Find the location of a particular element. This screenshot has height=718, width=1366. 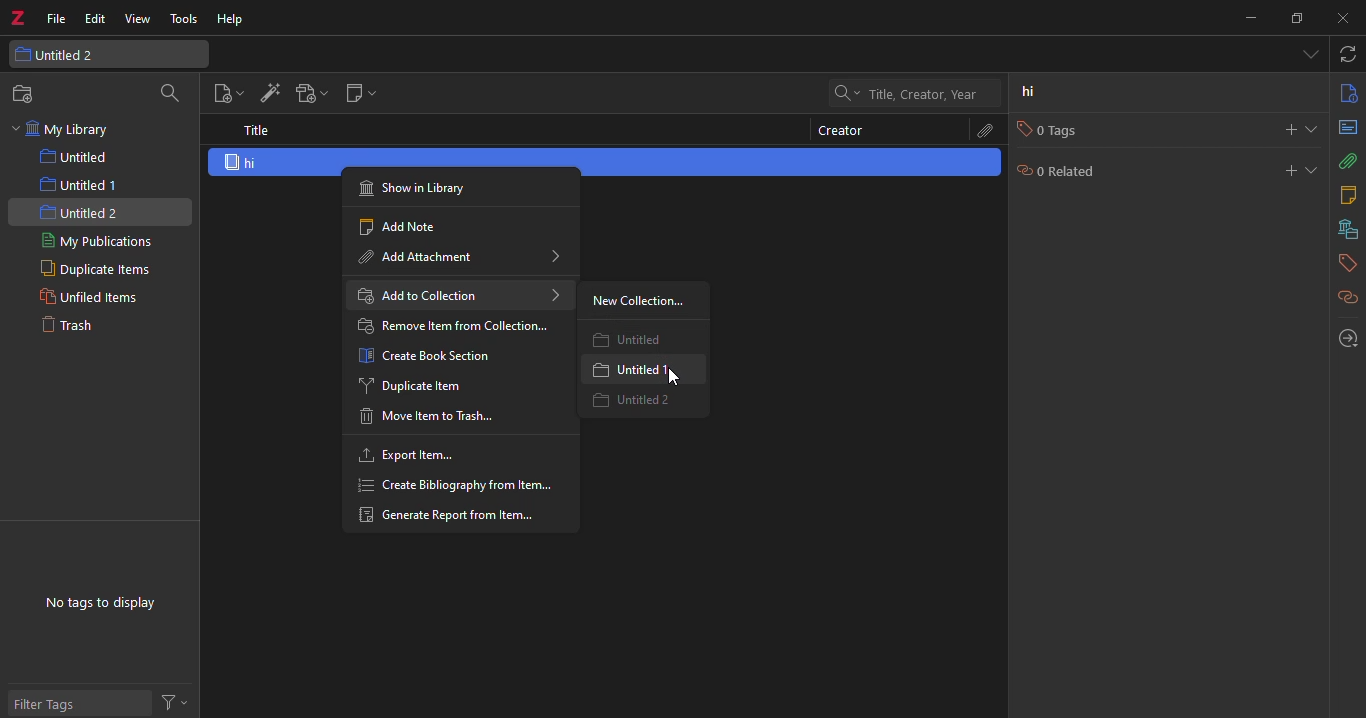

add item is located at coordinates (268, 94).